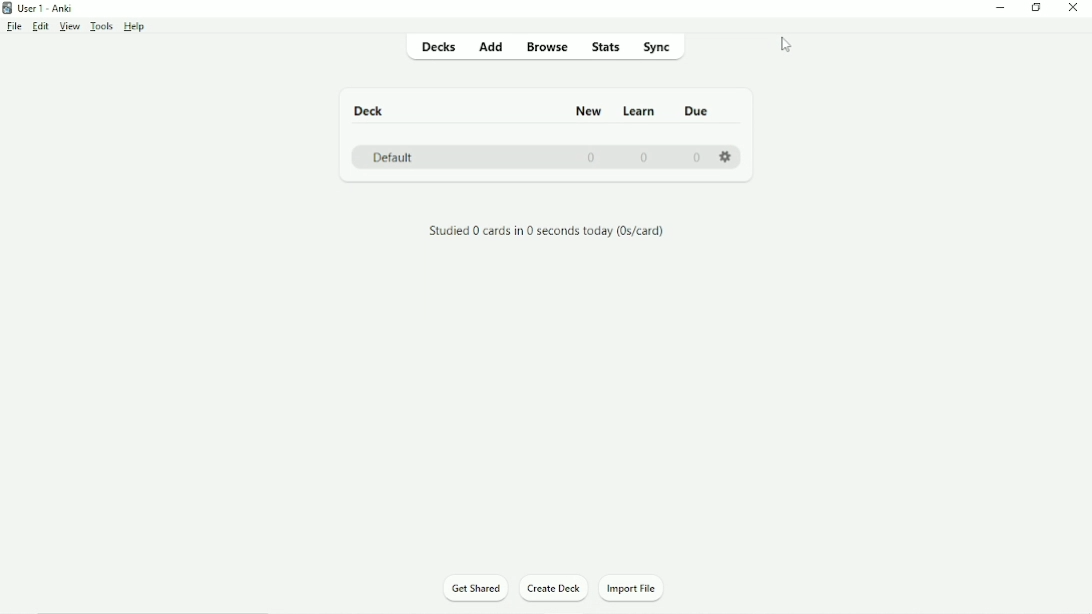 The width and height of the screenshot is (1092, 614). Describe the element at coordinates (136, 27) in the screenshot. I see `Help` at that location.